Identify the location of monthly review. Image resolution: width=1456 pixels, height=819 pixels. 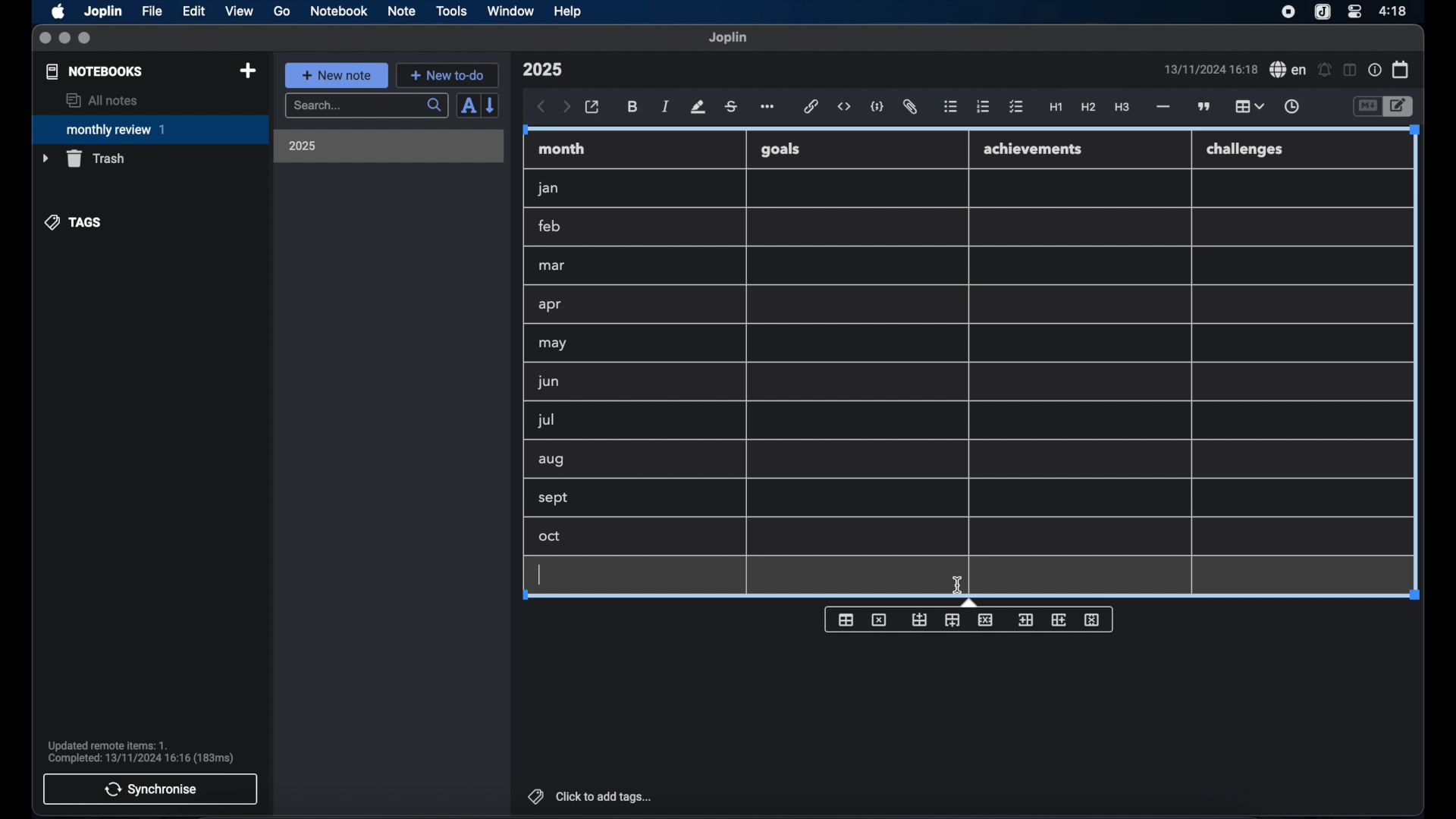
(150, 128).